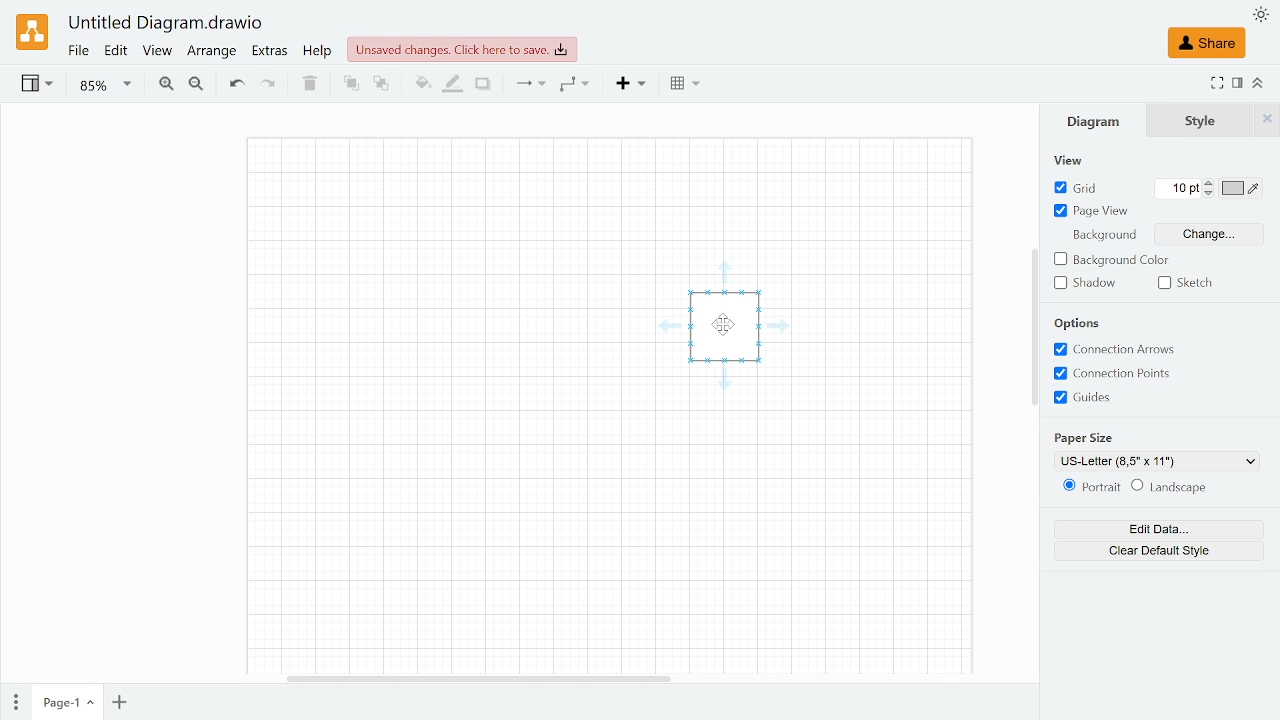 This screenshot has height=720, width=1280. What do you see at coordinates (1212, 193) in the screenshot?
I see `Decrease grid count` at bounding box center [1212, 193].